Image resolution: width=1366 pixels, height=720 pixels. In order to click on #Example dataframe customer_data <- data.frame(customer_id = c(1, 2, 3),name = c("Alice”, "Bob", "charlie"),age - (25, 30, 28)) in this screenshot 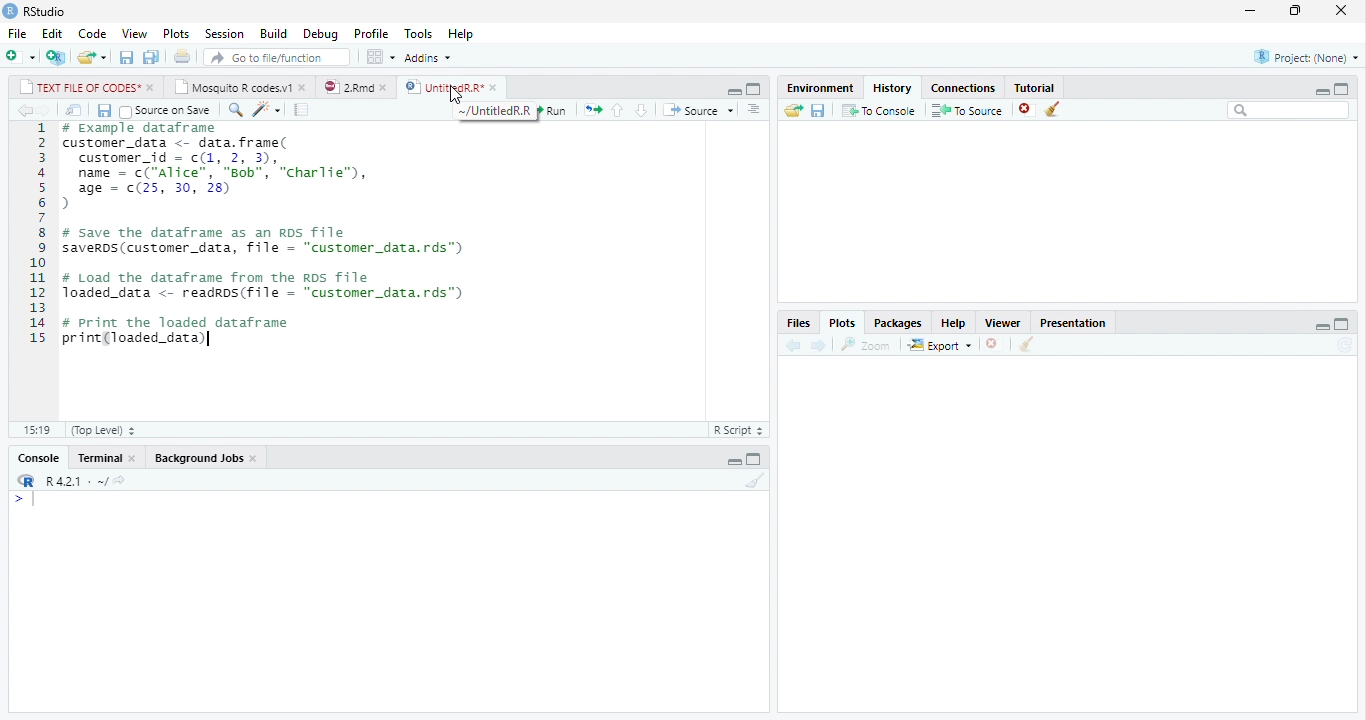, I will do `click(223, 167)`.